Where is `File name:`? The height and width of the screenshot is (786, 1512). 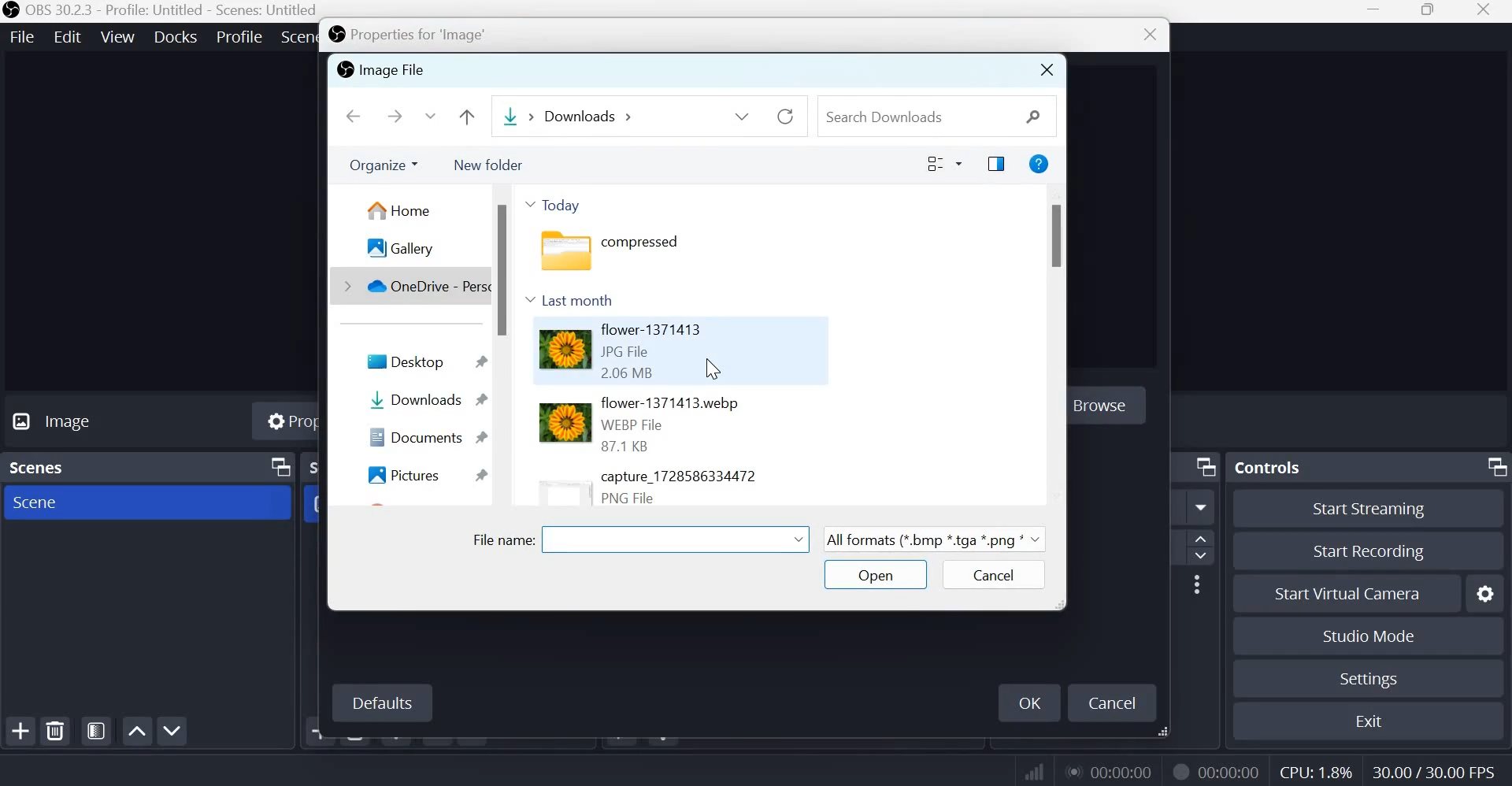
File name: is located at coordinates (500, 538).